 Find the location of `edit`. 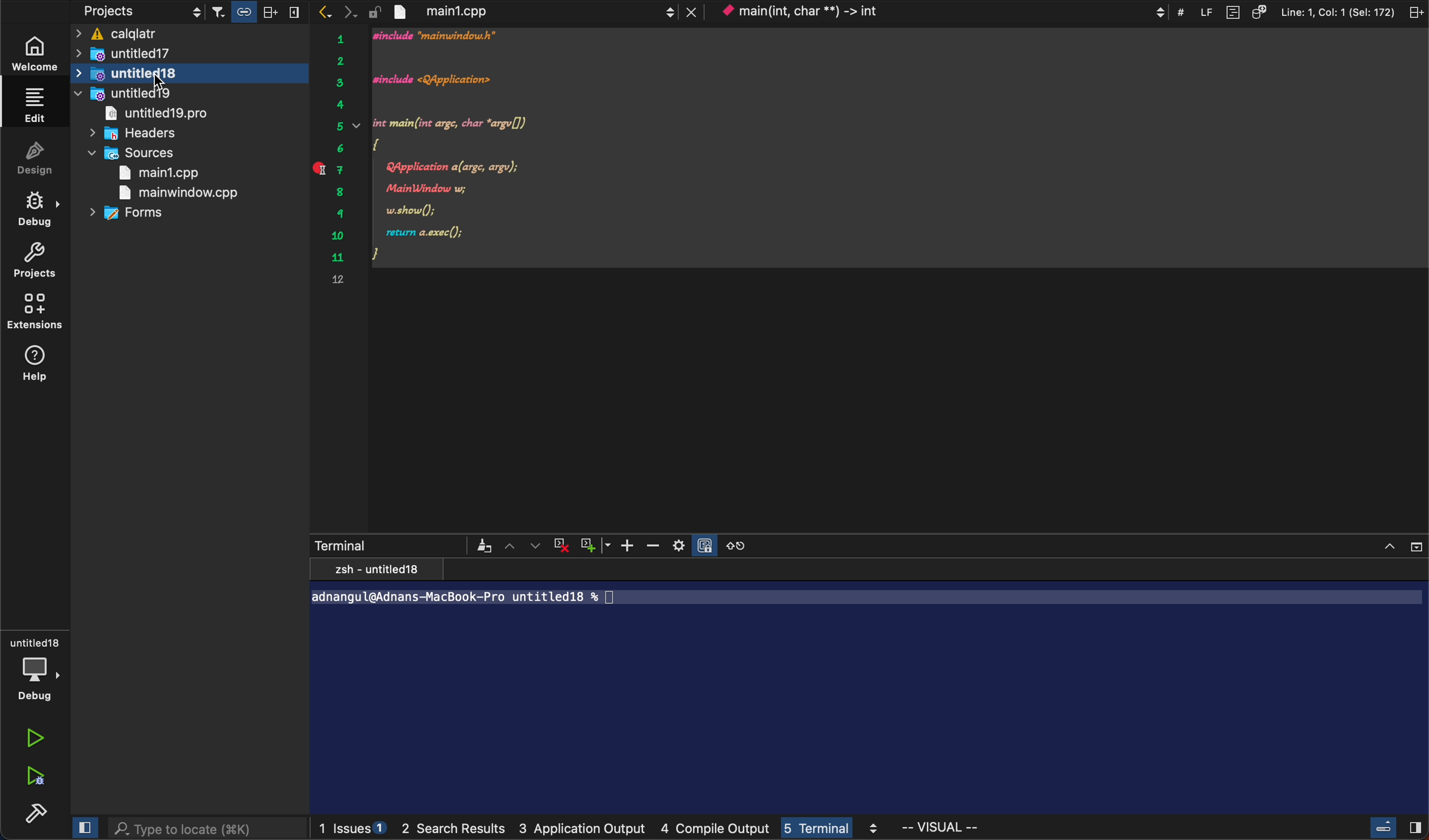

edit is located at coordinates (40, 105).